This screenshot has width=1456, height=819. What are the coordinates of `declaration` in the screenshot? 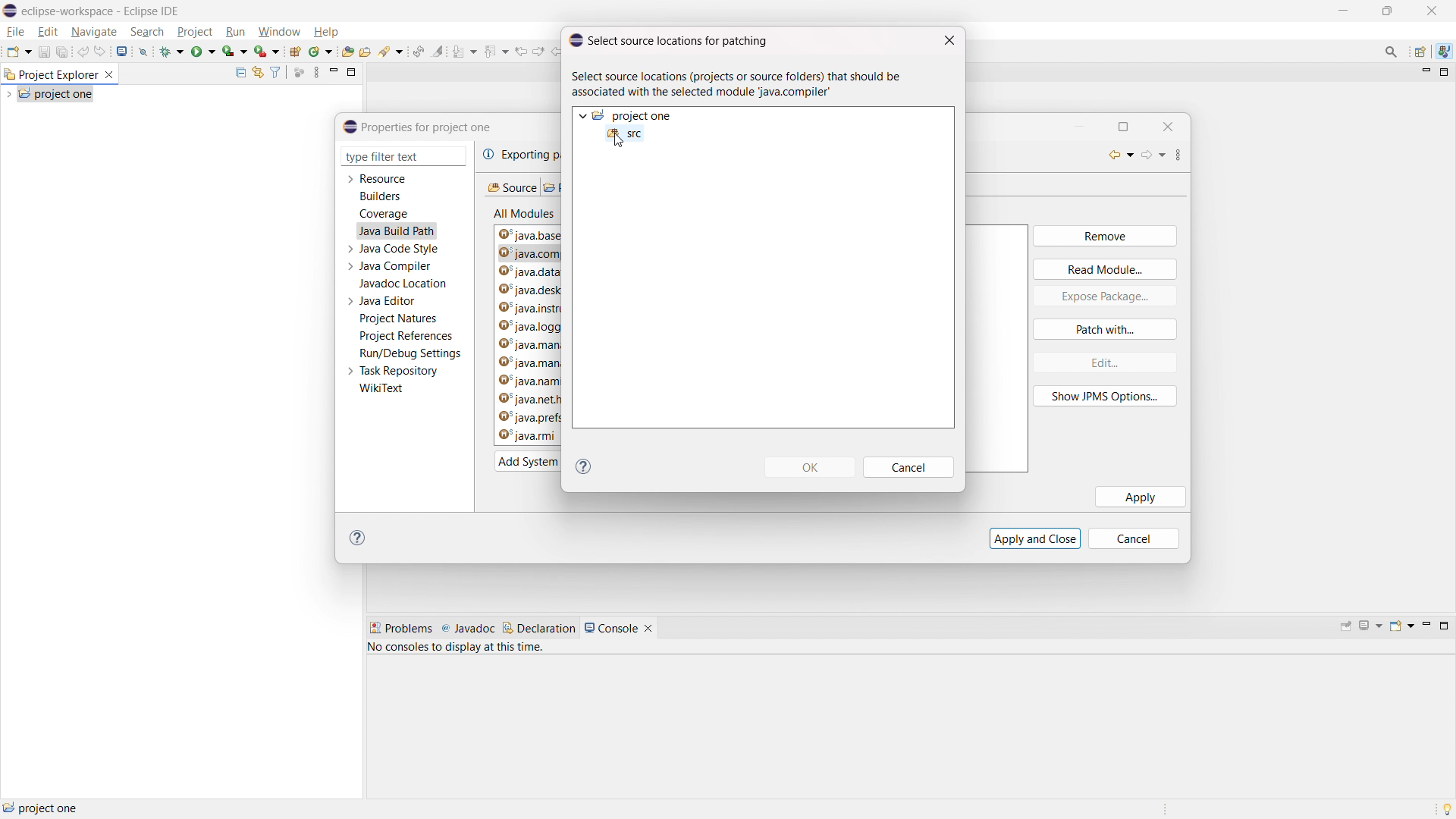 It's located at (539, 628).